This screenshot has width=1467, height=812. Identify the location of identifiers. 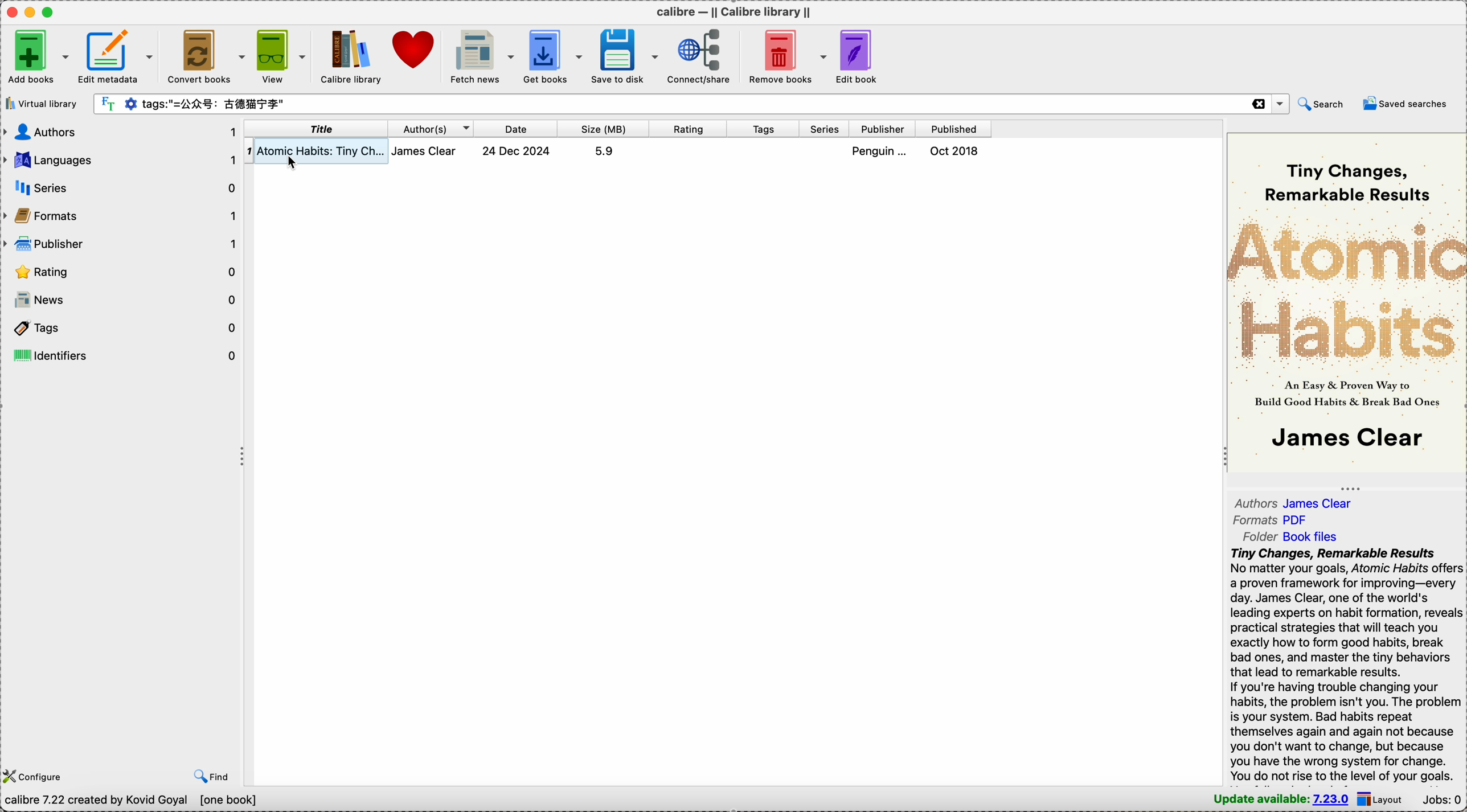
(121, 355).